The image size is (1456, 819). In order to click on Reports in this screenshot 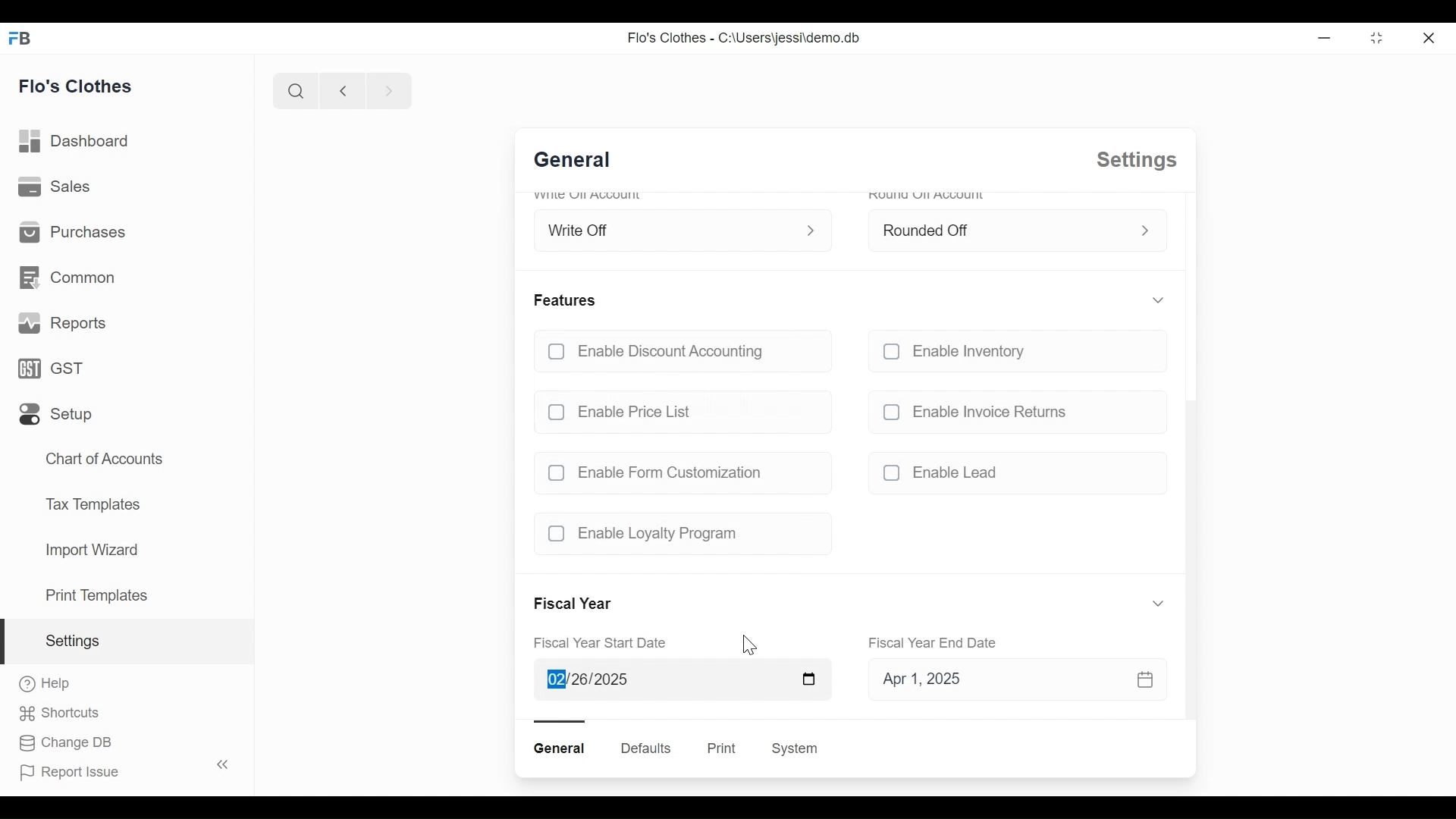, I will do `click(61, 323)`.